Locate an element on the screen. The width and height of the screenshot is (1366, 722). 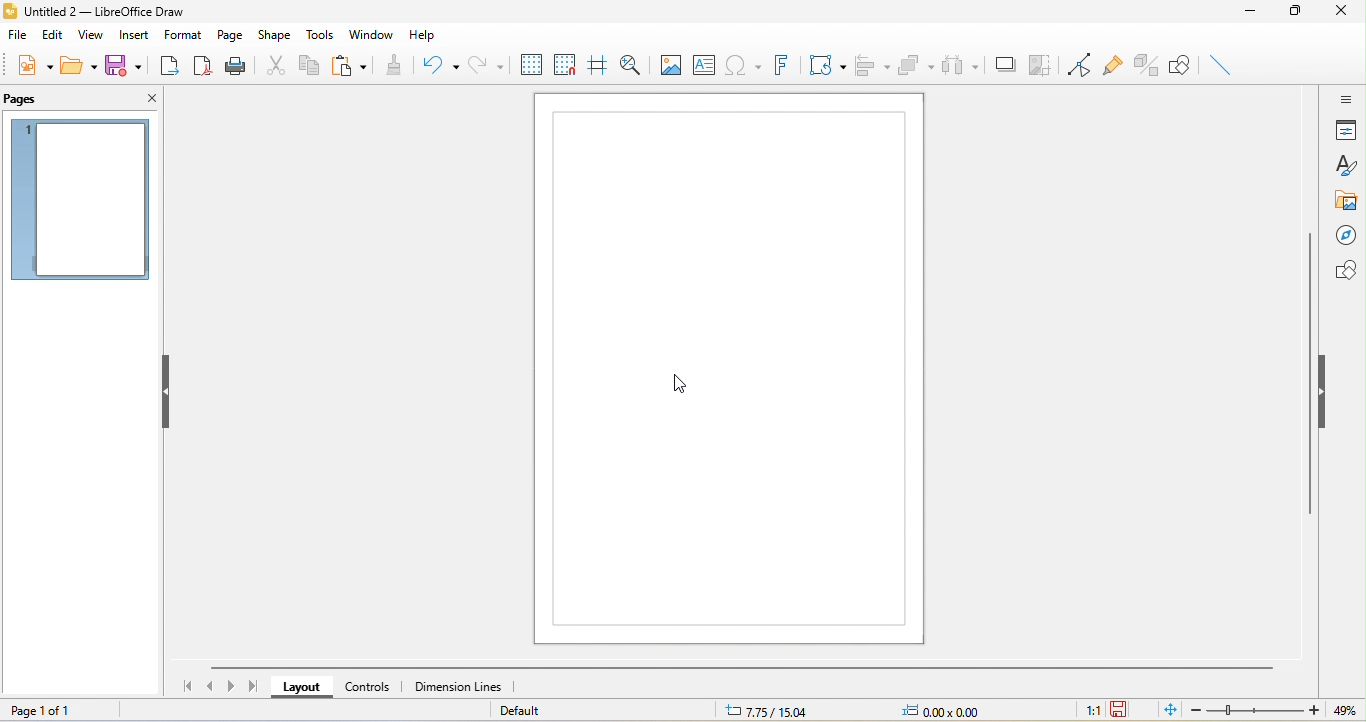
help is located at coordinates (422, 34).